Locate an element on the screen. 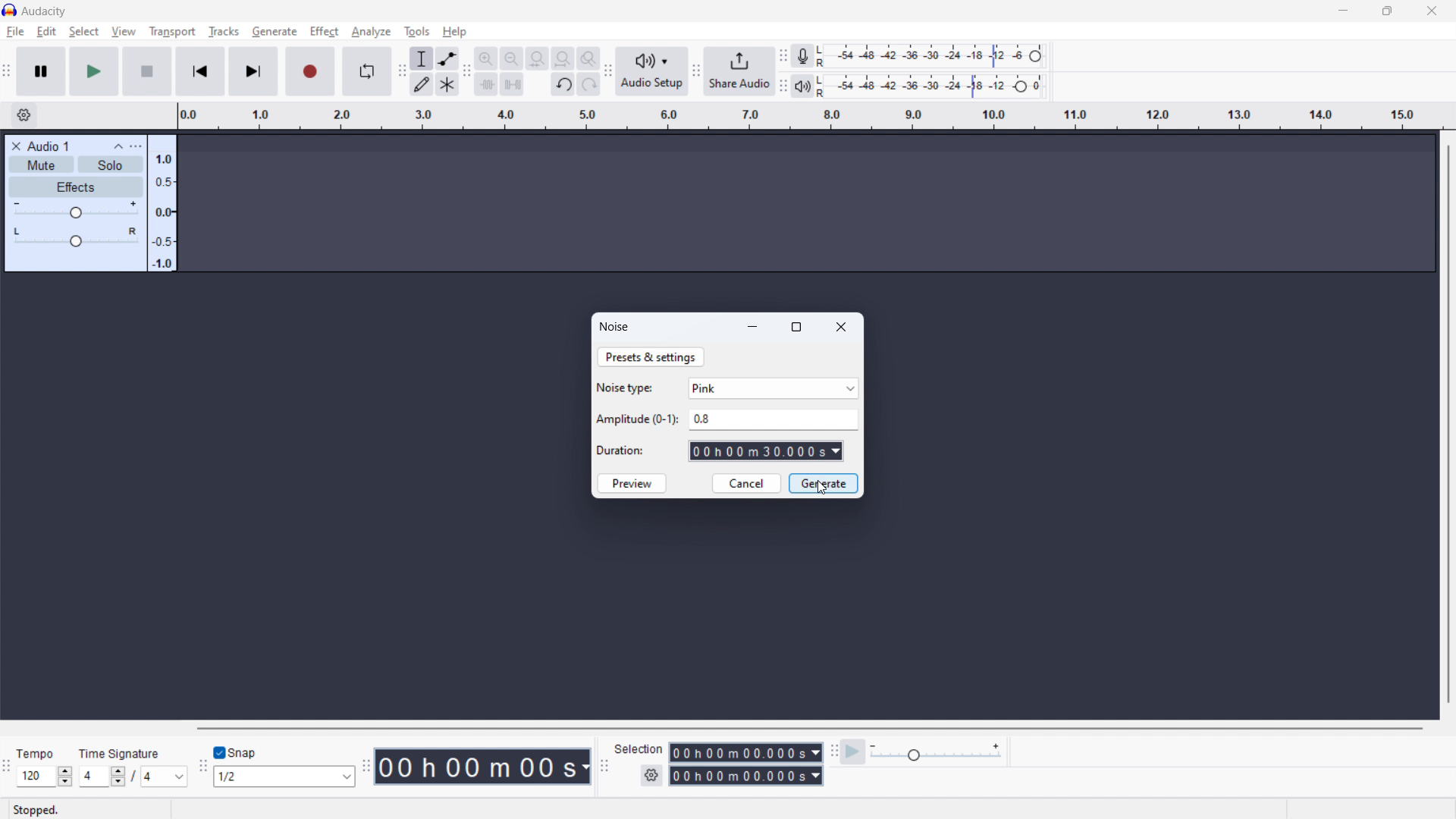 This screenshot has height=819, width=1456. redo is located at coordinates (588, 84).